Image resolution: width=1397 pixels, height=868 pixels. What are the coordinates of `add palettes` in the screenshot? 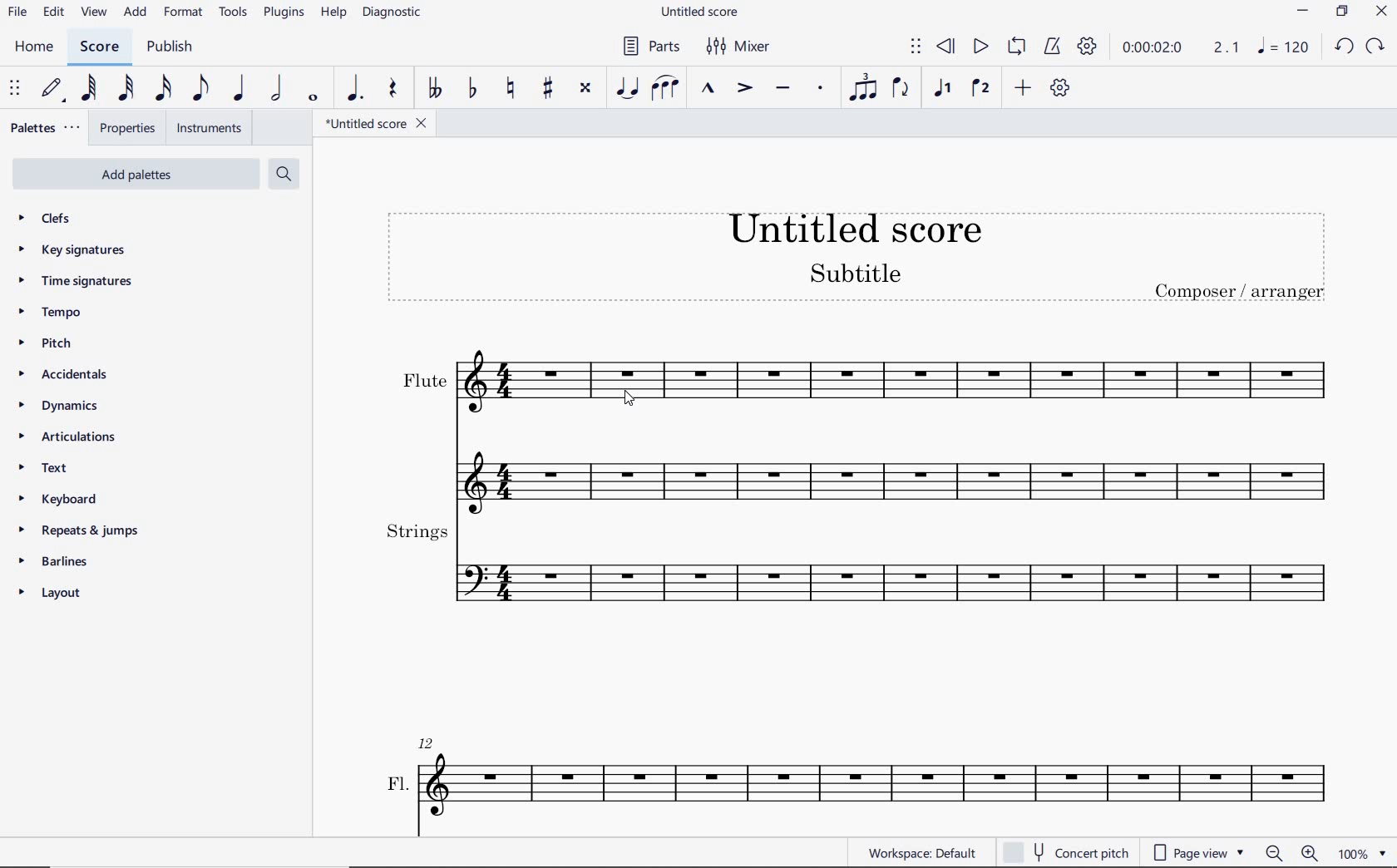 It's located at (134, 174).